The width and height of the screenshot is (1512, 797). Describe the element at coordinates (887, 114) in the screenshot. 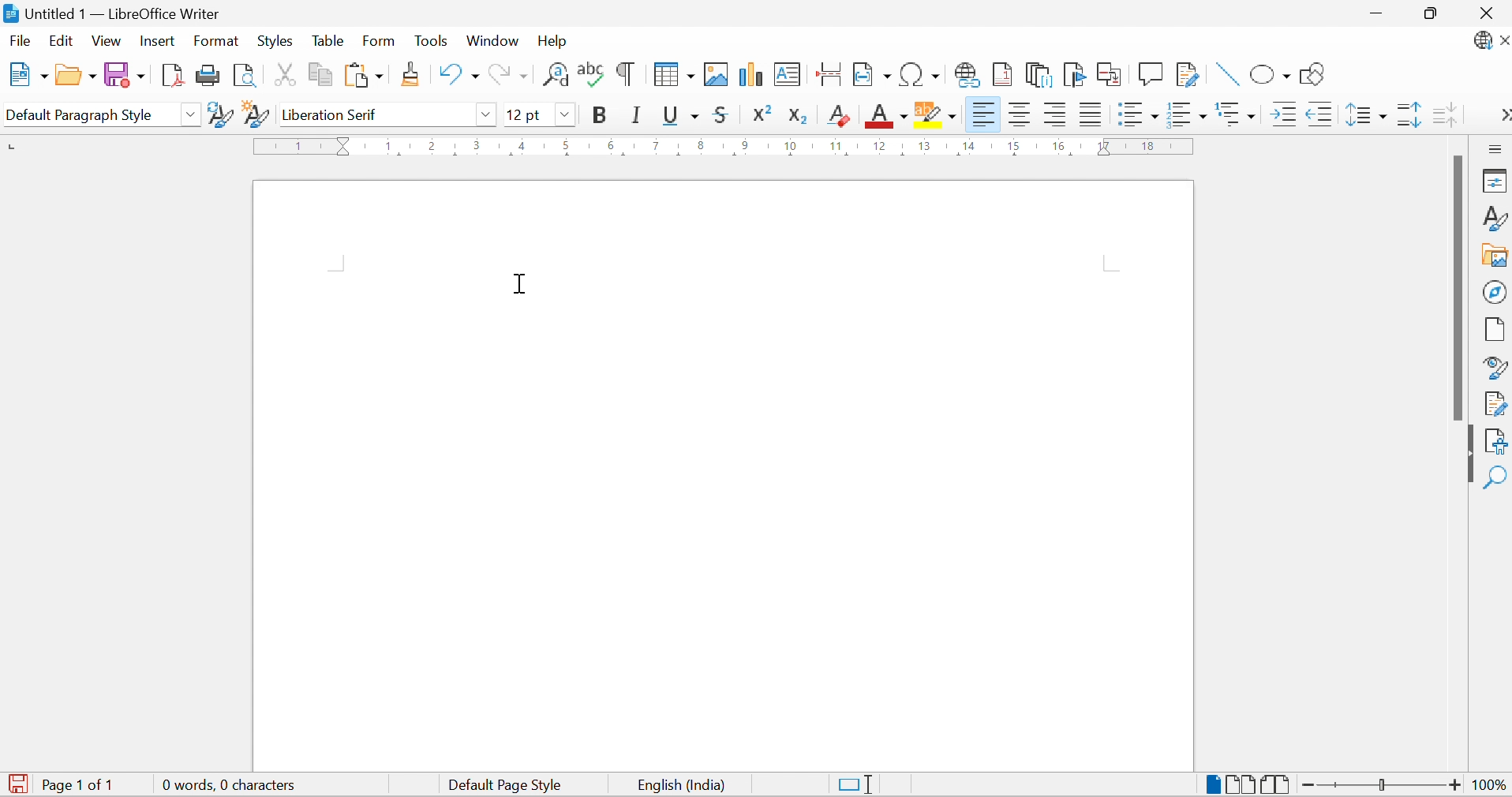

I see `Font Color` at that location.